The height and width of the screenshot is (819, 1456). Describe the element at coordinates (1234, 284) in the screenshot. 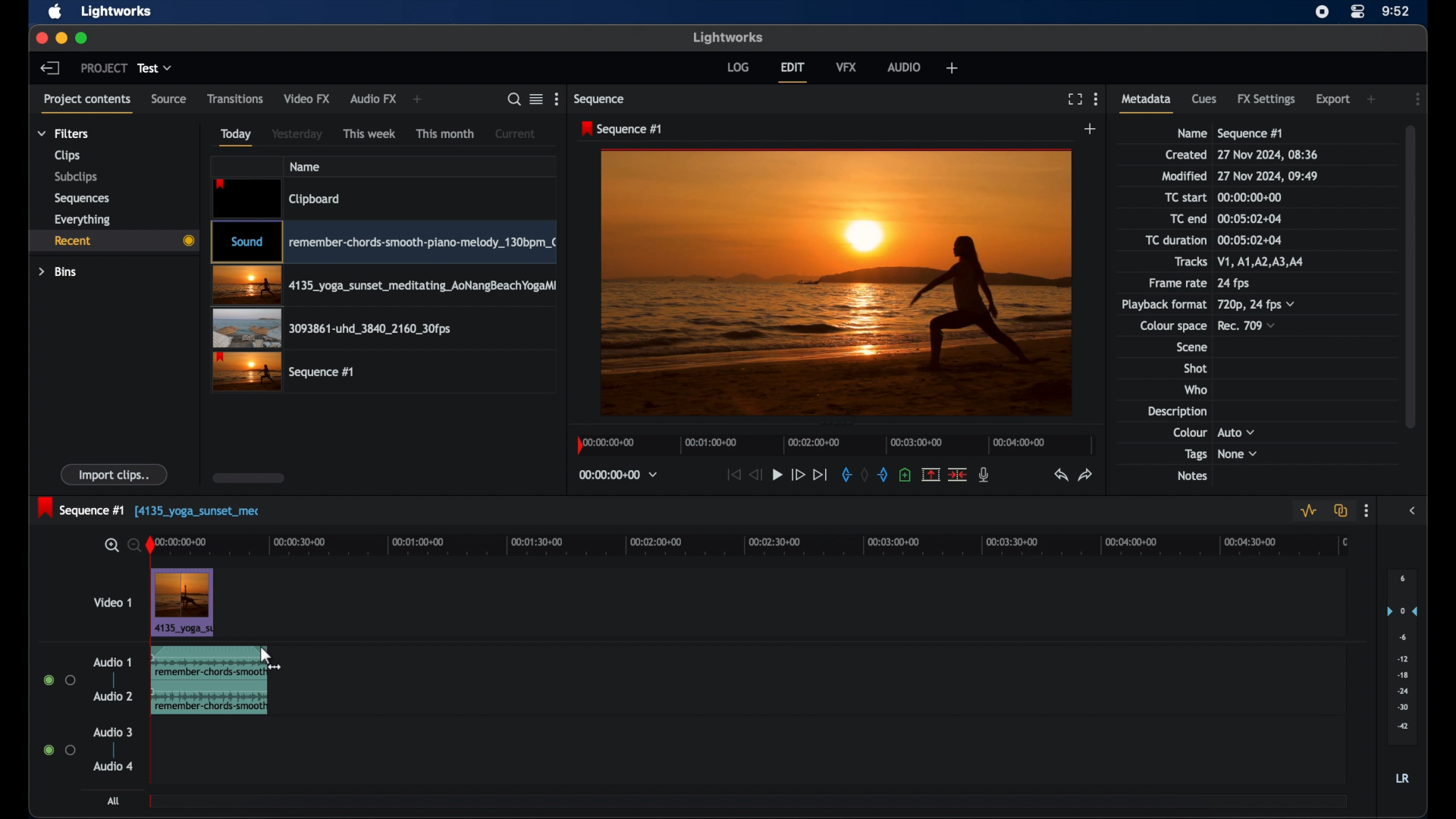

I see `24 fps` at that location.